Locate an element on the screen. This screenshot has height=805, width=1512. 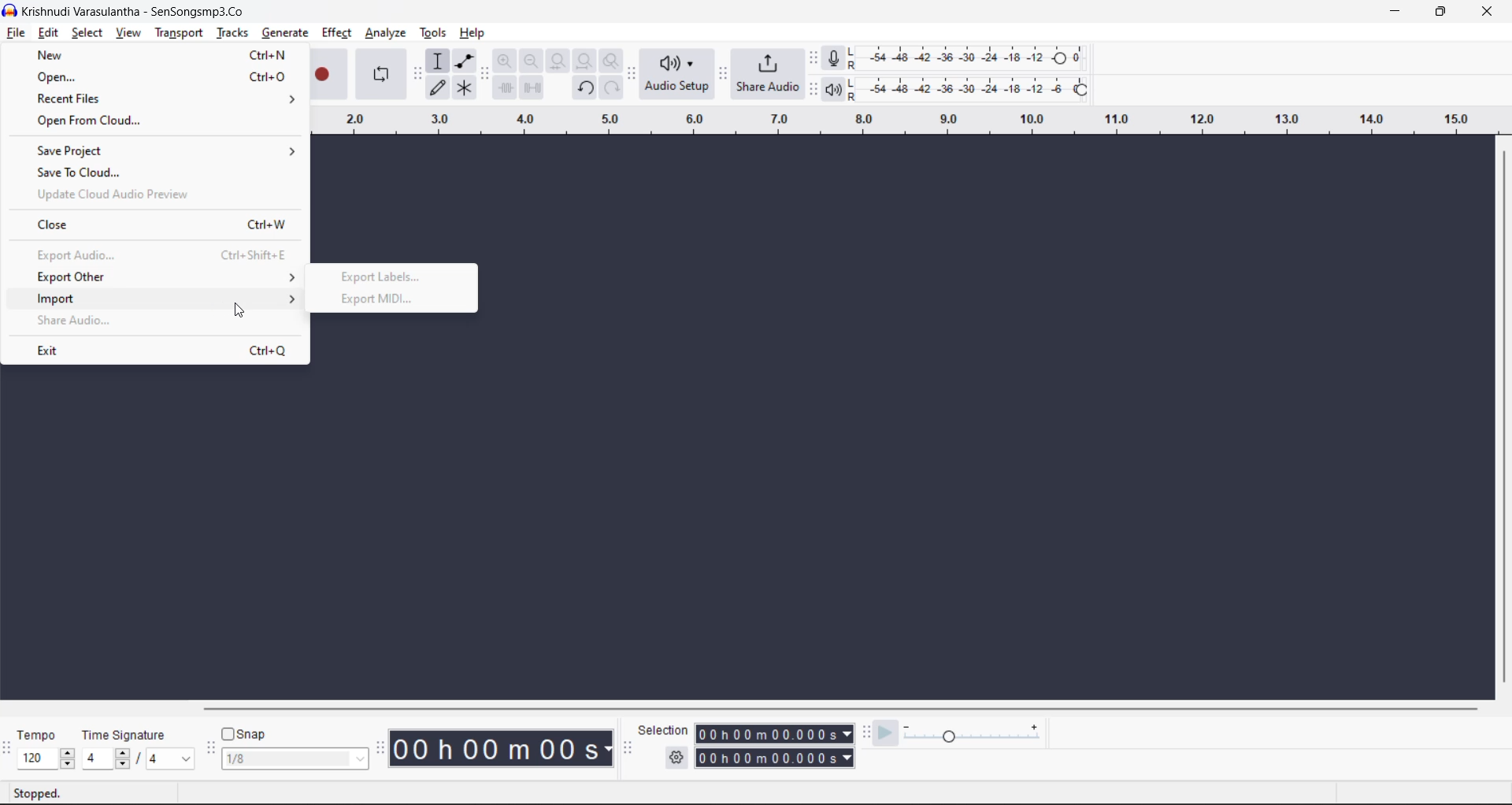
enable looping is located at coordinates (383, 74).